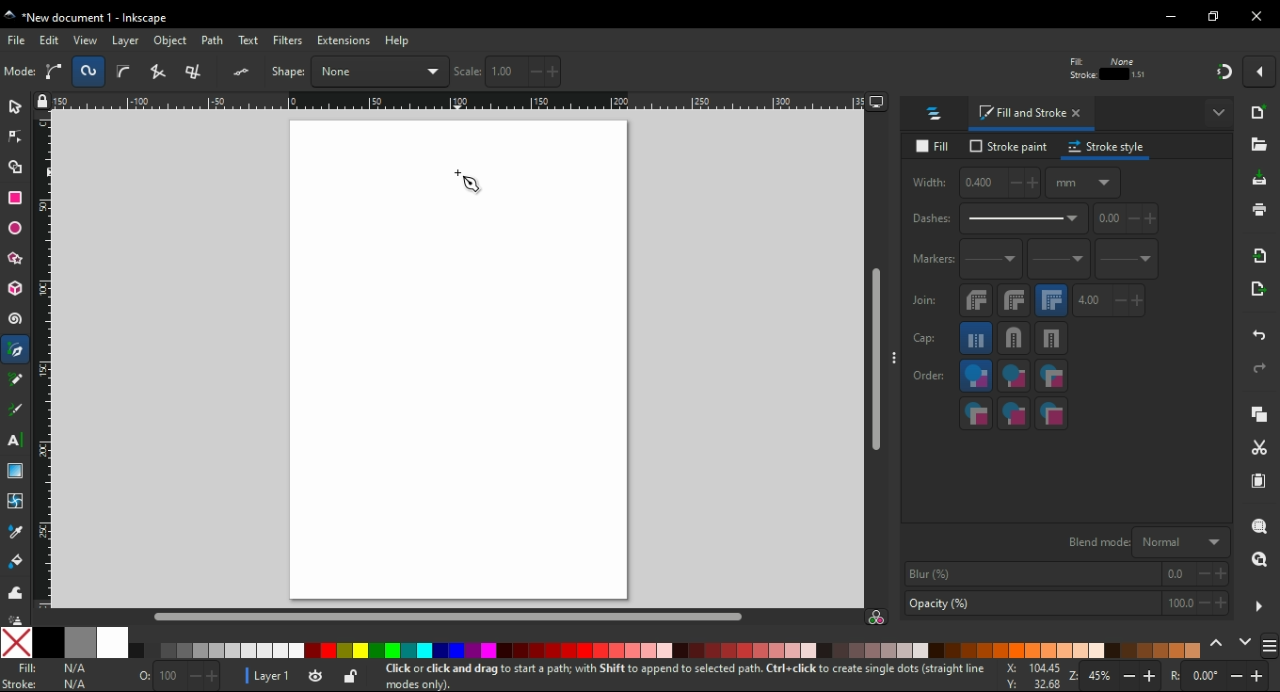 This screenshot has width=1280, height=692. What do you see at coordinates (18, 229) in the screenshot?
I see `ellipse/arc tool` at bounding box center [18, 229].